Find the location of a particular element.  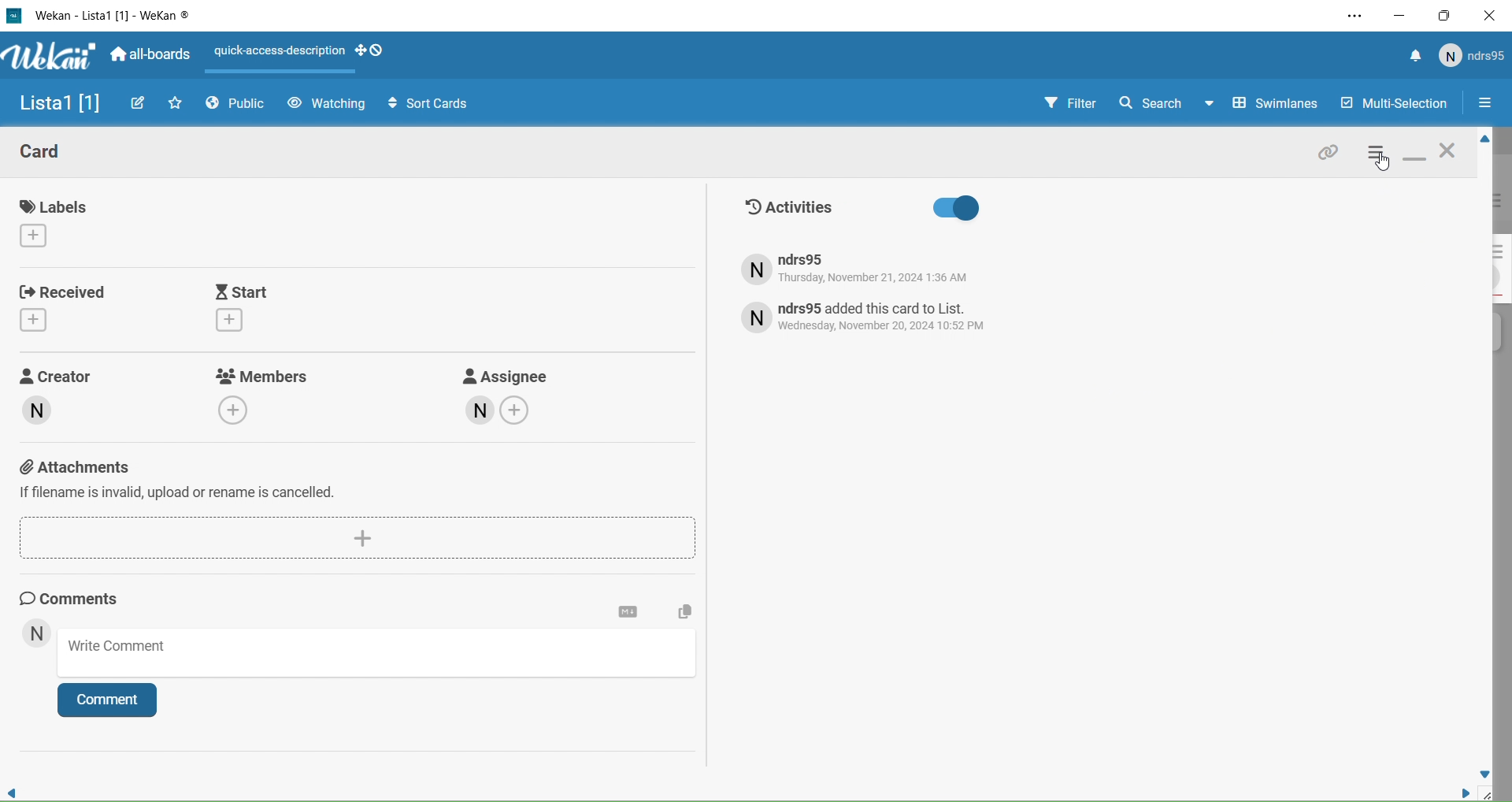

Start is located at coordinates (255, 306).